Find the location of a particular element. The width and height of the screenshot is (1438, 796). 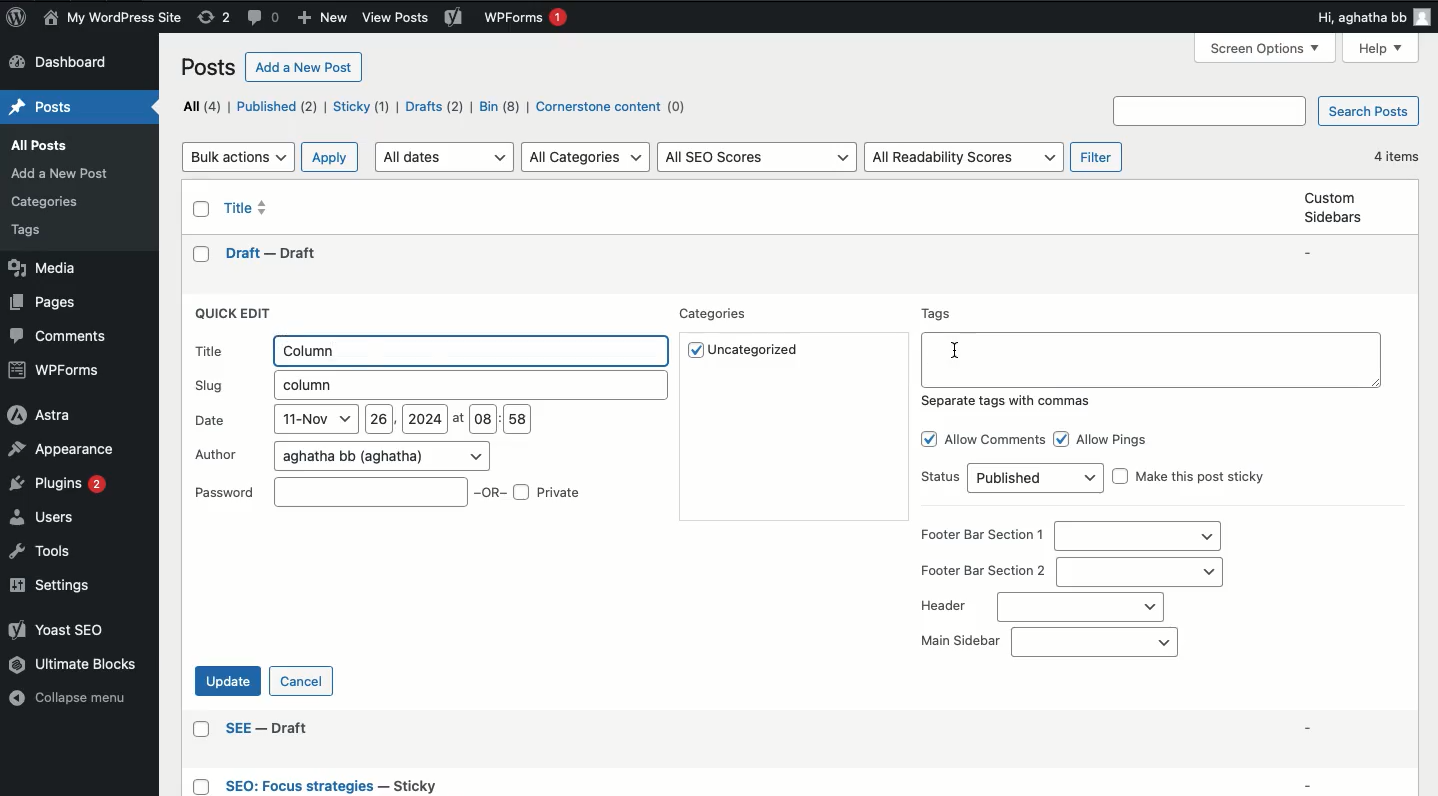

 is located at coordinates (247, 728).